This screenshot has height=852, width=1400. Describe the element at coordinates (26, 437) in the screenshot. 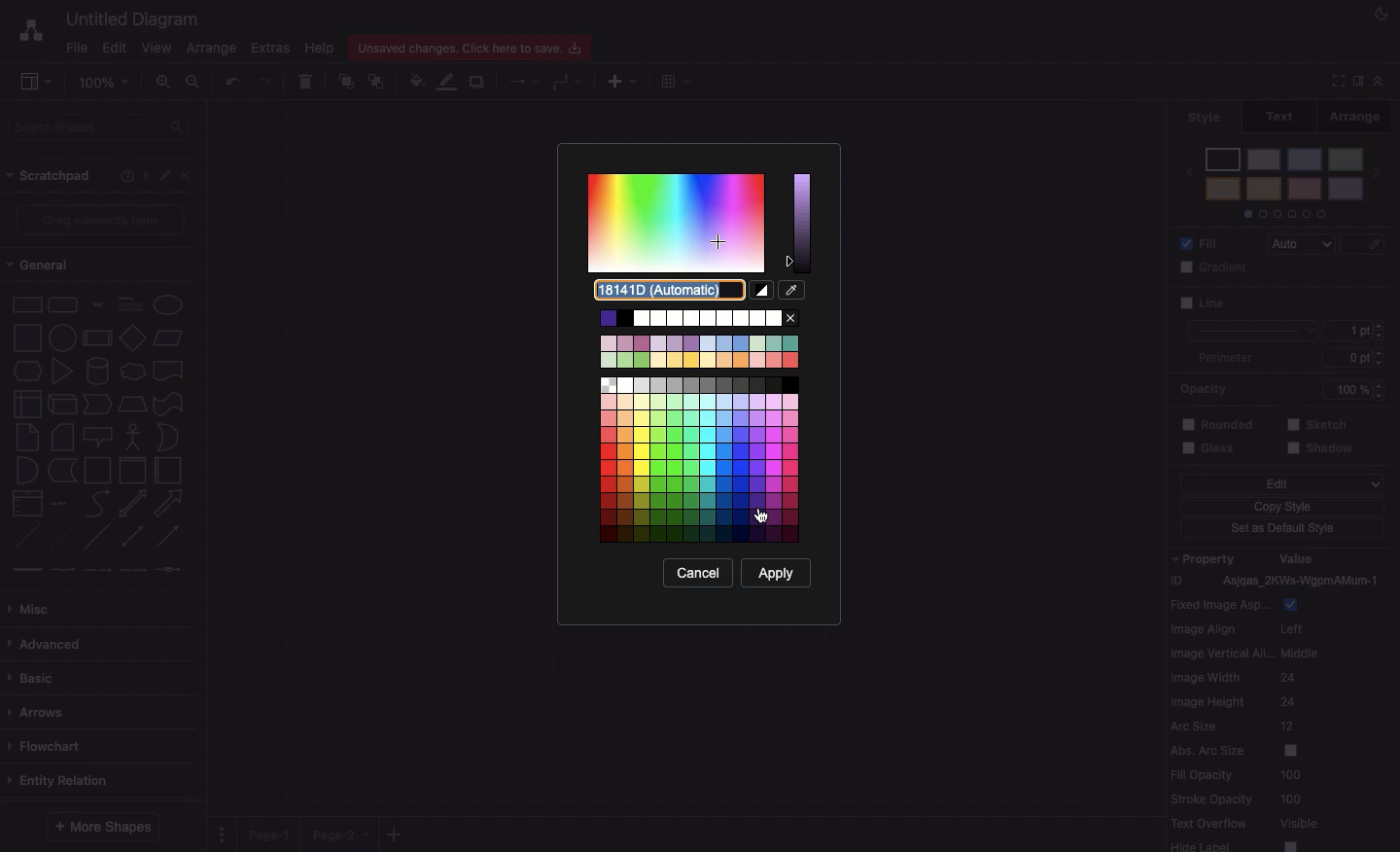

I see `note` at that location.